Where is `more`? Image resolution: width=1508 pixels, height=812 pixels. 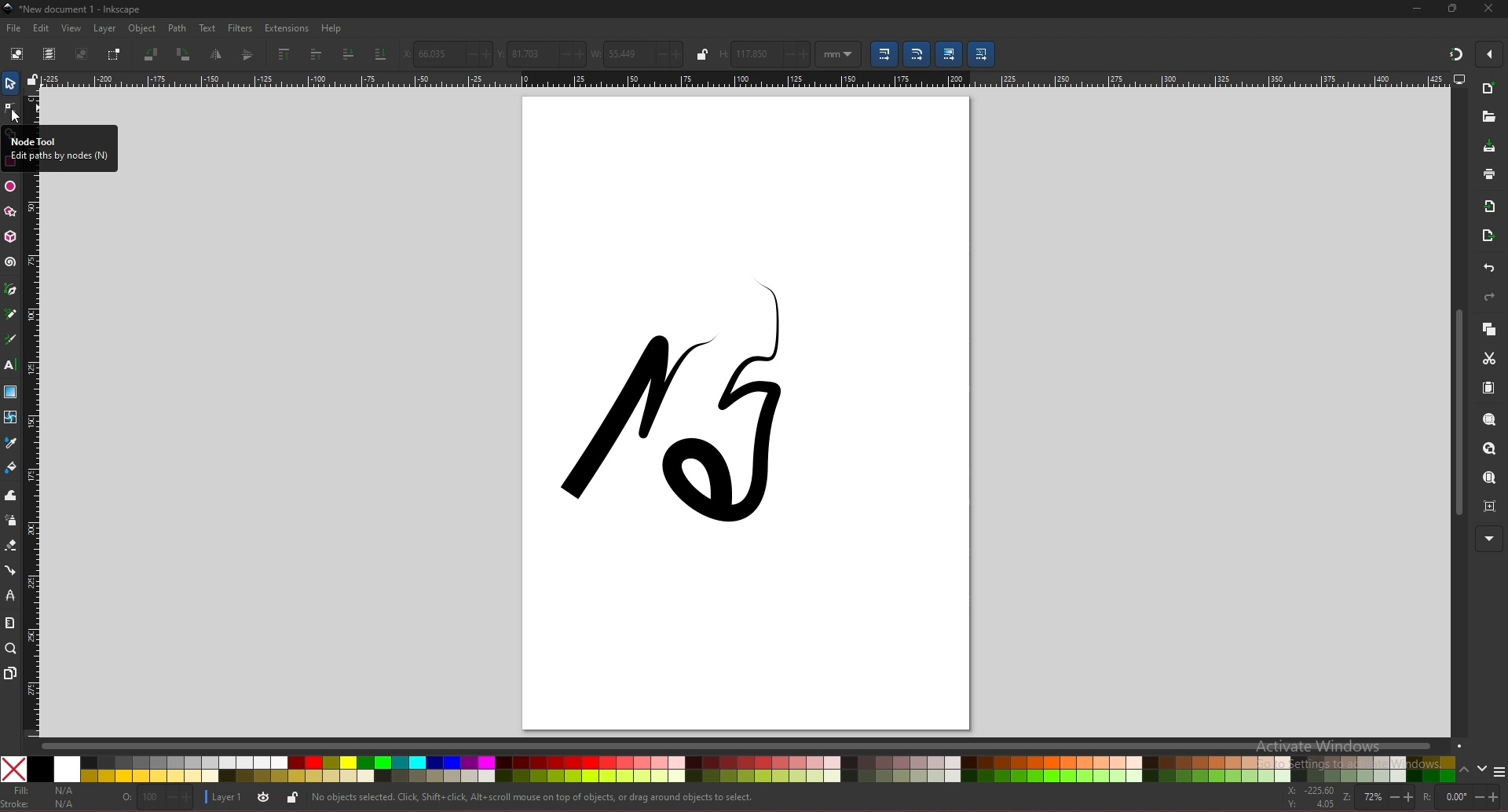
more is located at coordinates (1488, 539).